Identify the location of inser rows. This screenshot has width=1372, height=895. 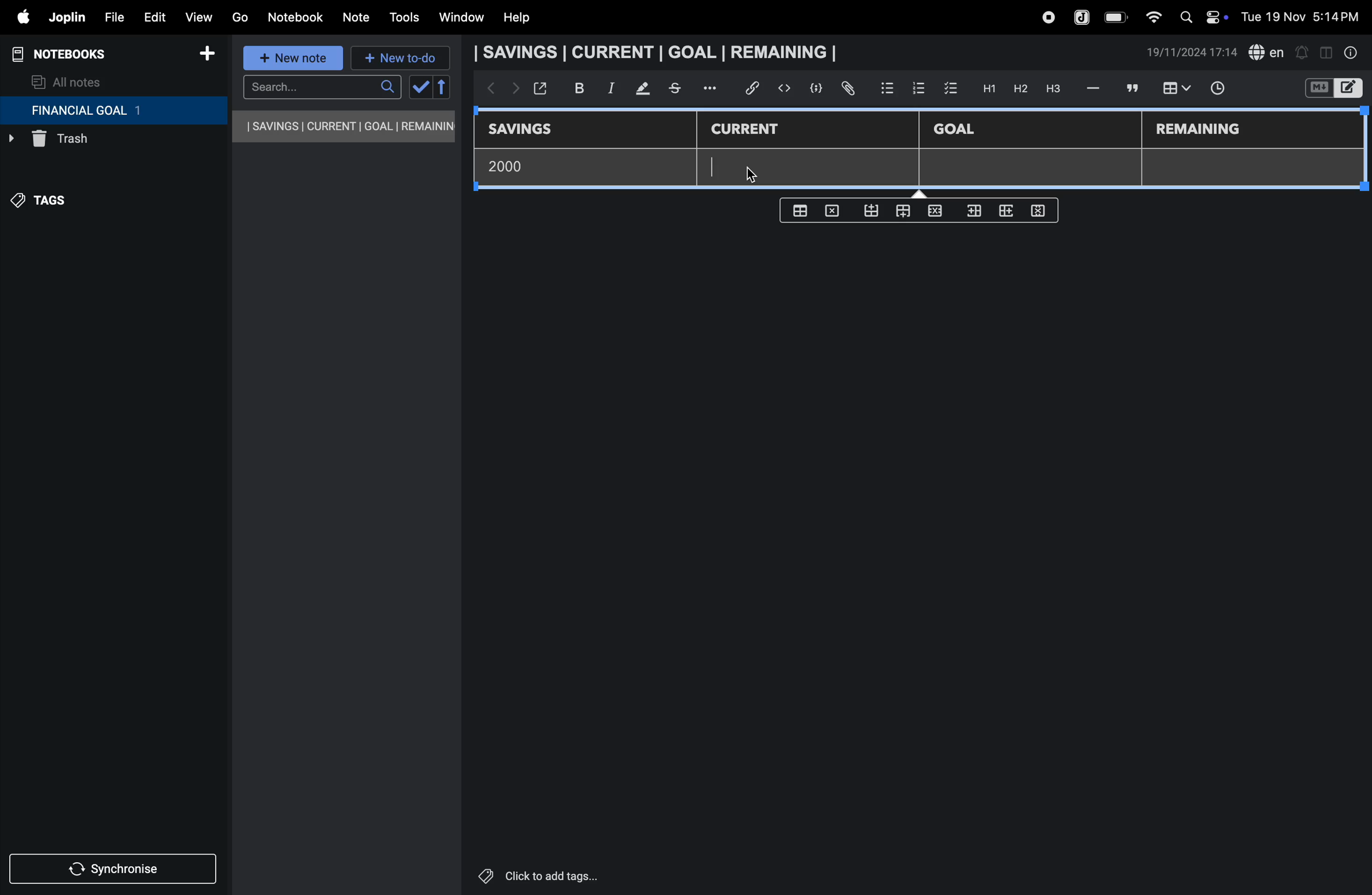
(972, 213).